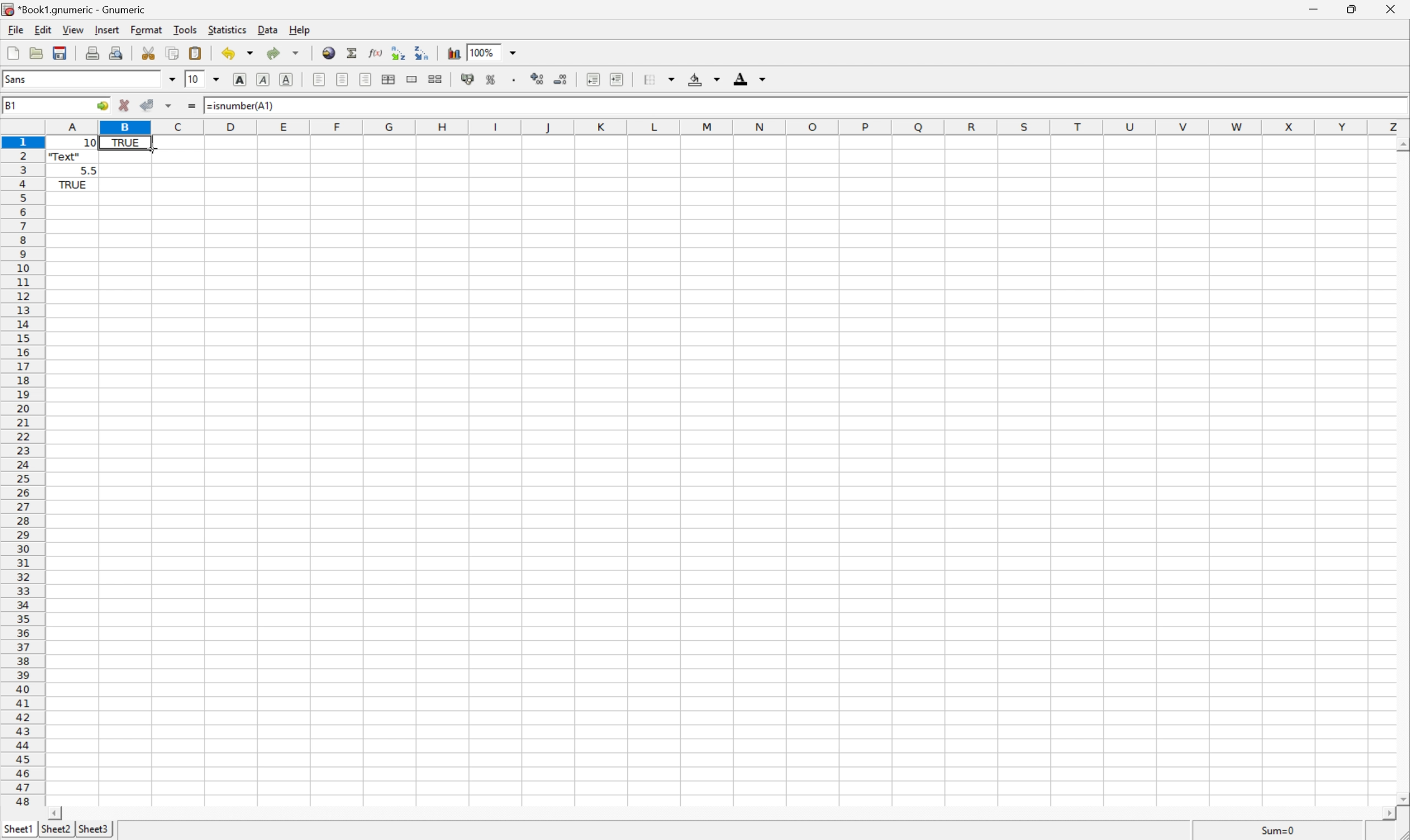  What do you see at coordinates (434, 79) in the screenshot?
I see `Split Ranges of merged cells` at bounding box center [434, 79].